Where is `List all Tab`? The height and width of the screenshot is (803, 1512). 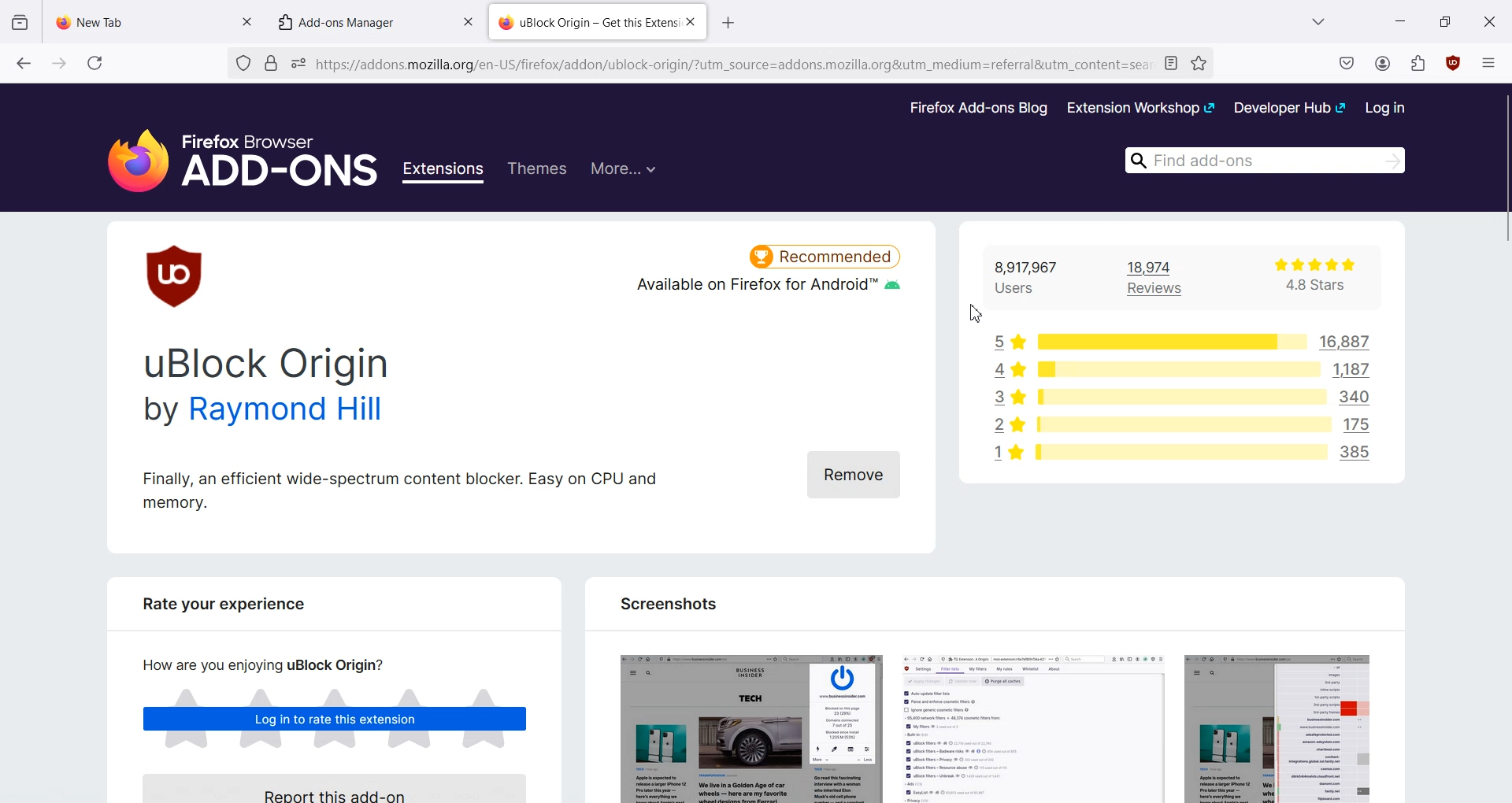 List all Tab is located at coordinates (1317, 21).